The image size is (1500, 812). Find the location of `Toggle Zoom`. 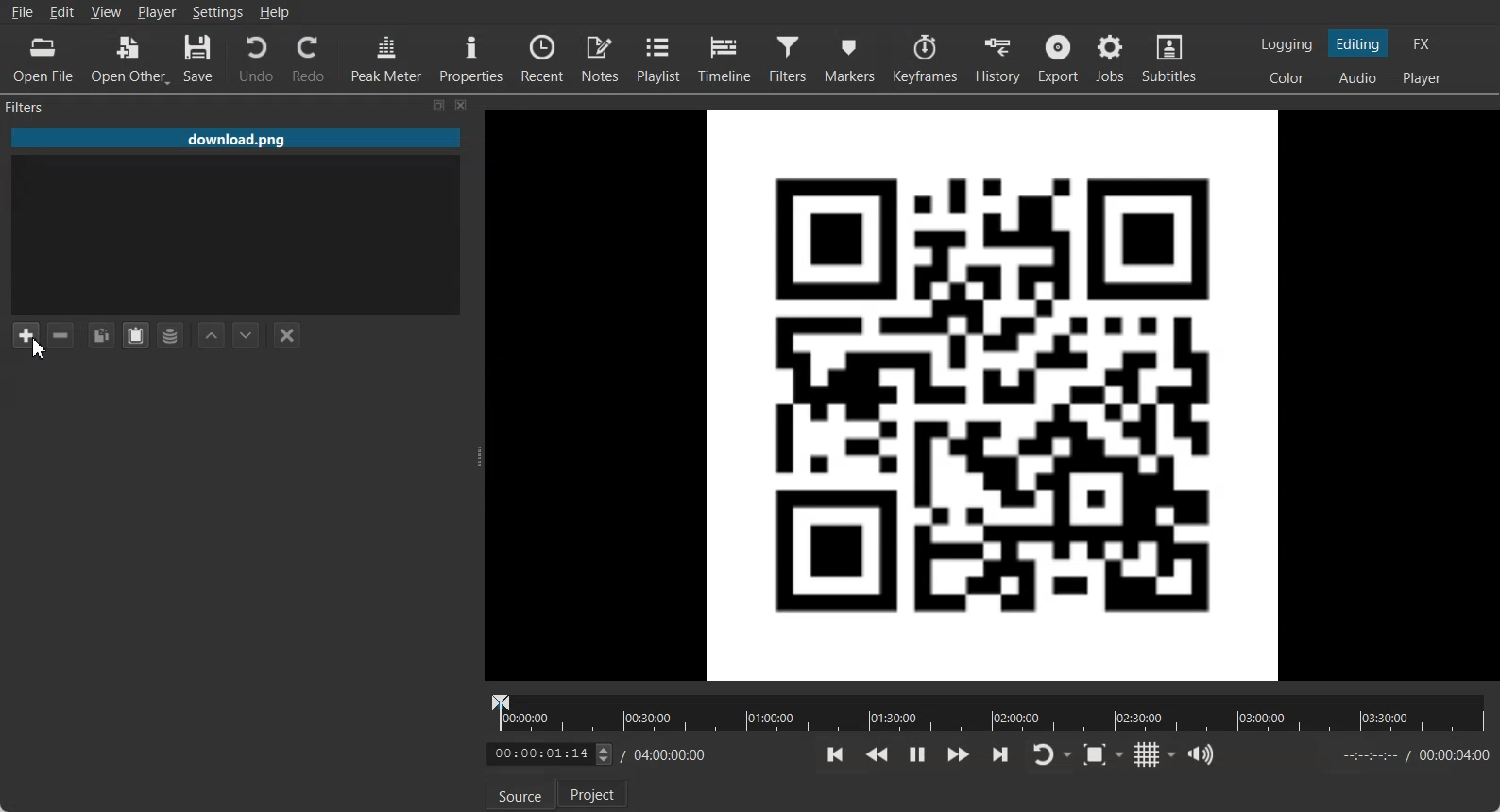

Toggle Zoom is located at coordinates (1097, 755).